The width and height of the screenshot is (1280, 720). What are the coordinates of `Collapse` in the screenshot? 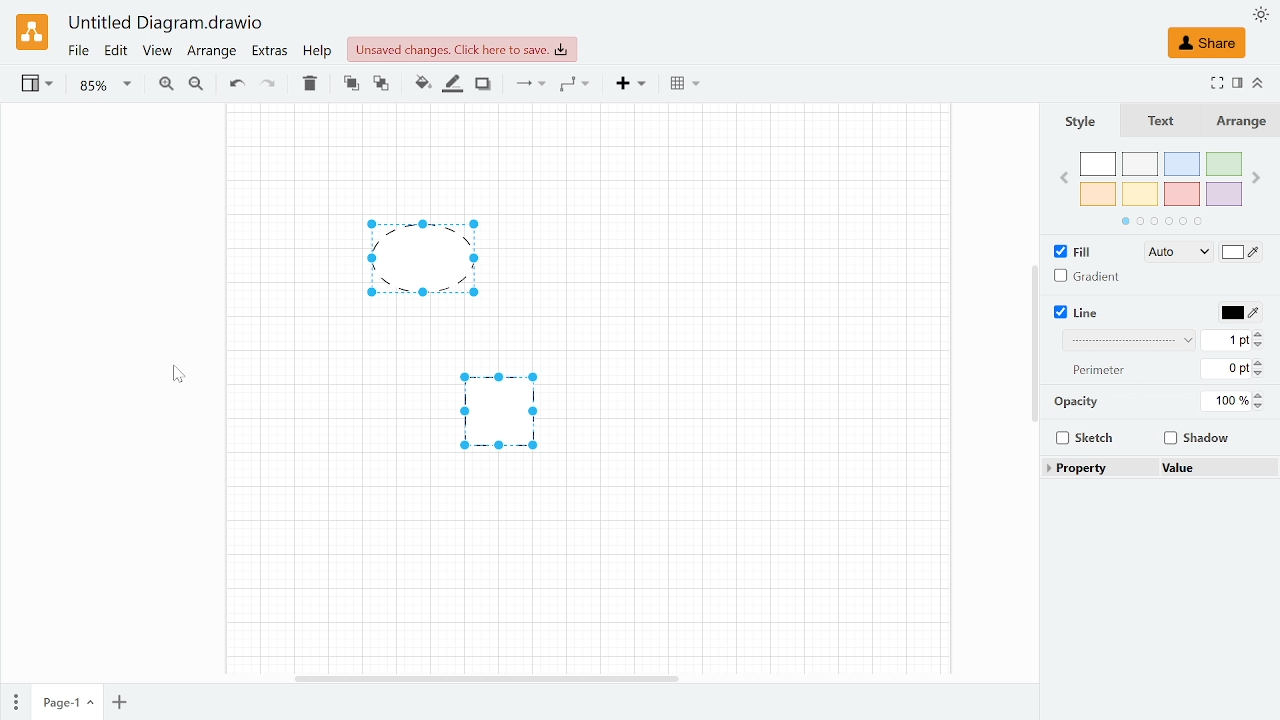 It's located at (1259, 82).